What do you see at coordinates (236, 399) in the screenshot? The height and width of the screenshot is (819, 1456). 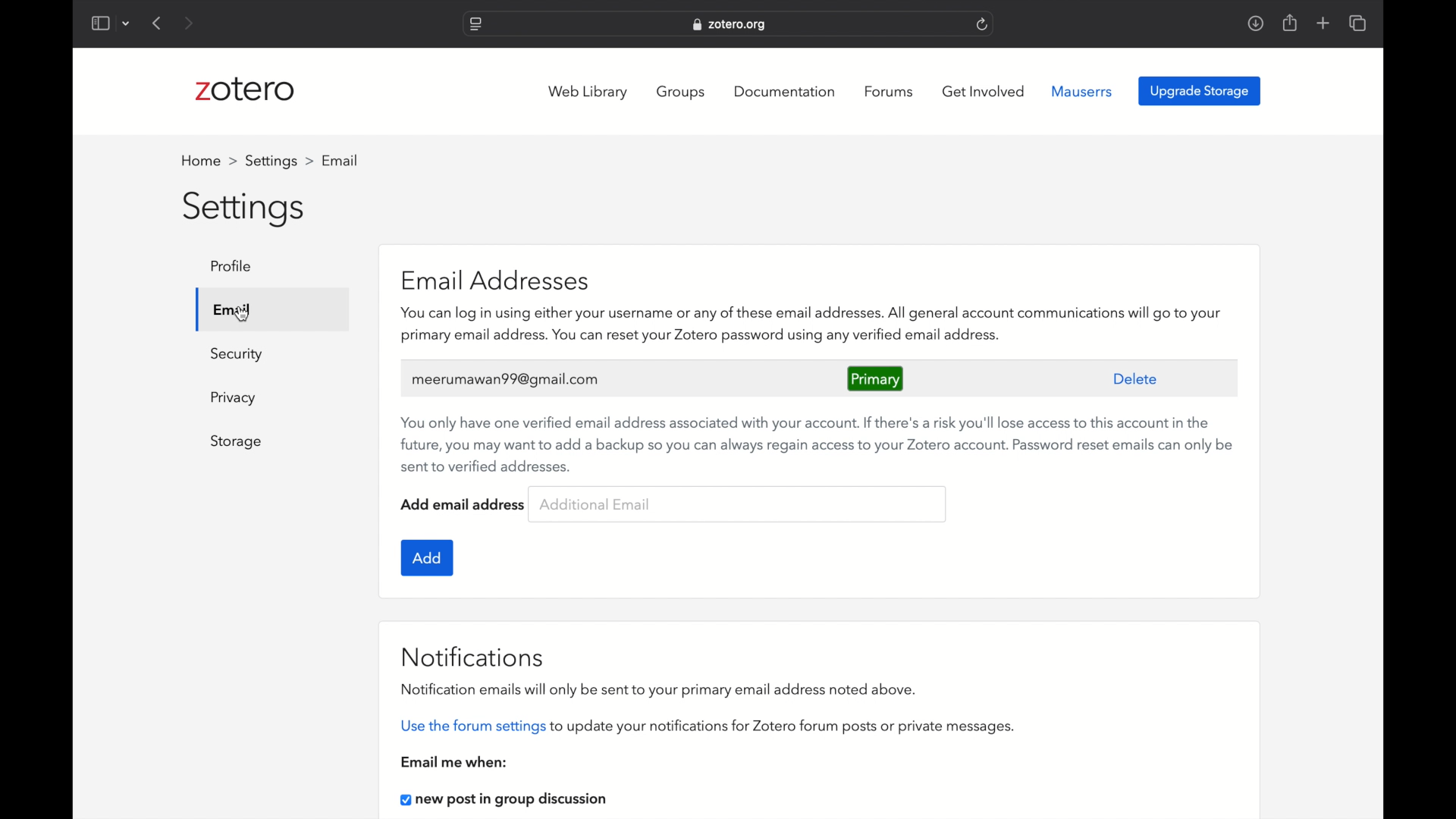 I see `privacy` at bounding box center [236, 399].